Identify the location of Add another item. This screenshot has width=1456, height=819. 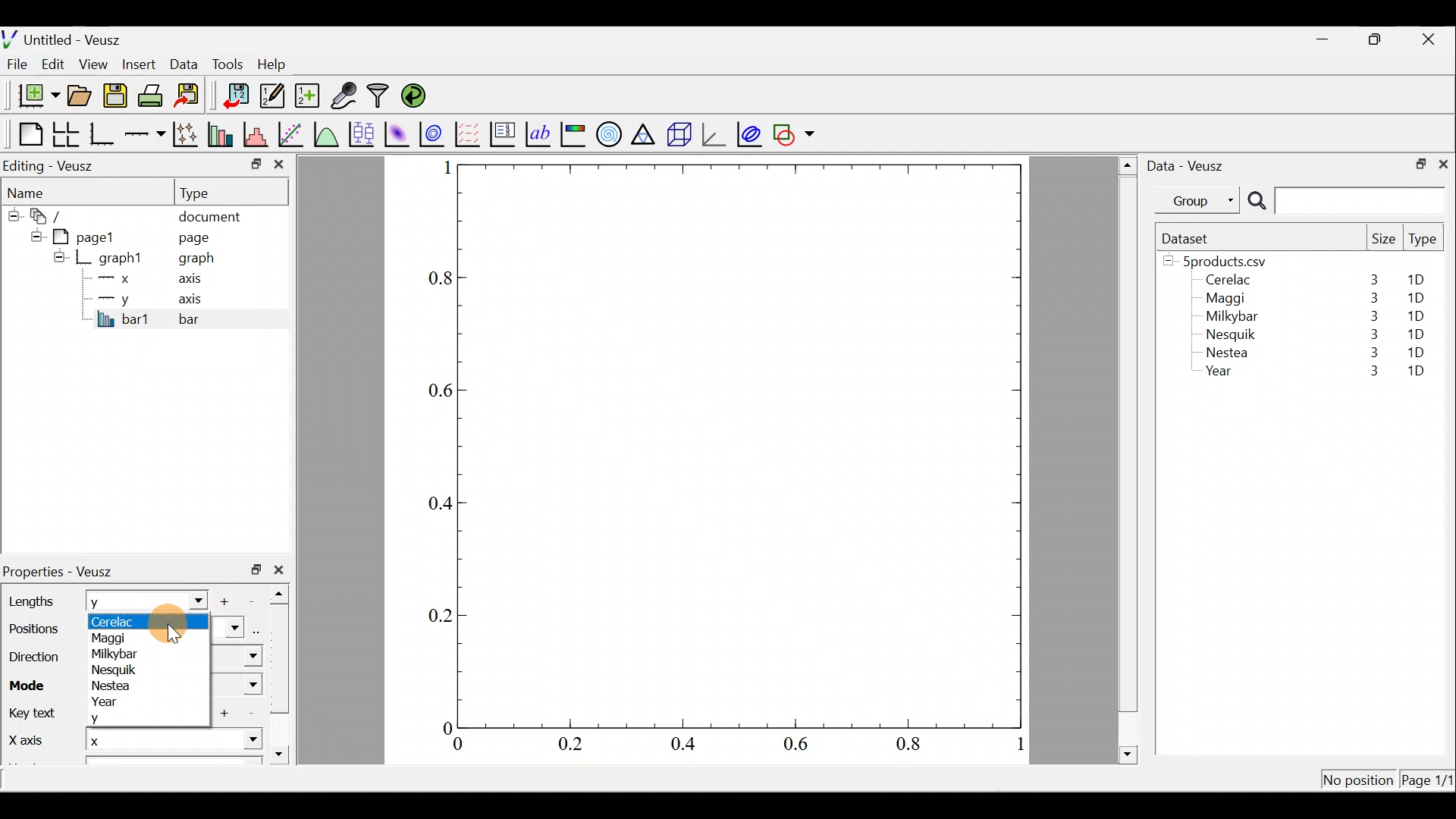
(229, 601).